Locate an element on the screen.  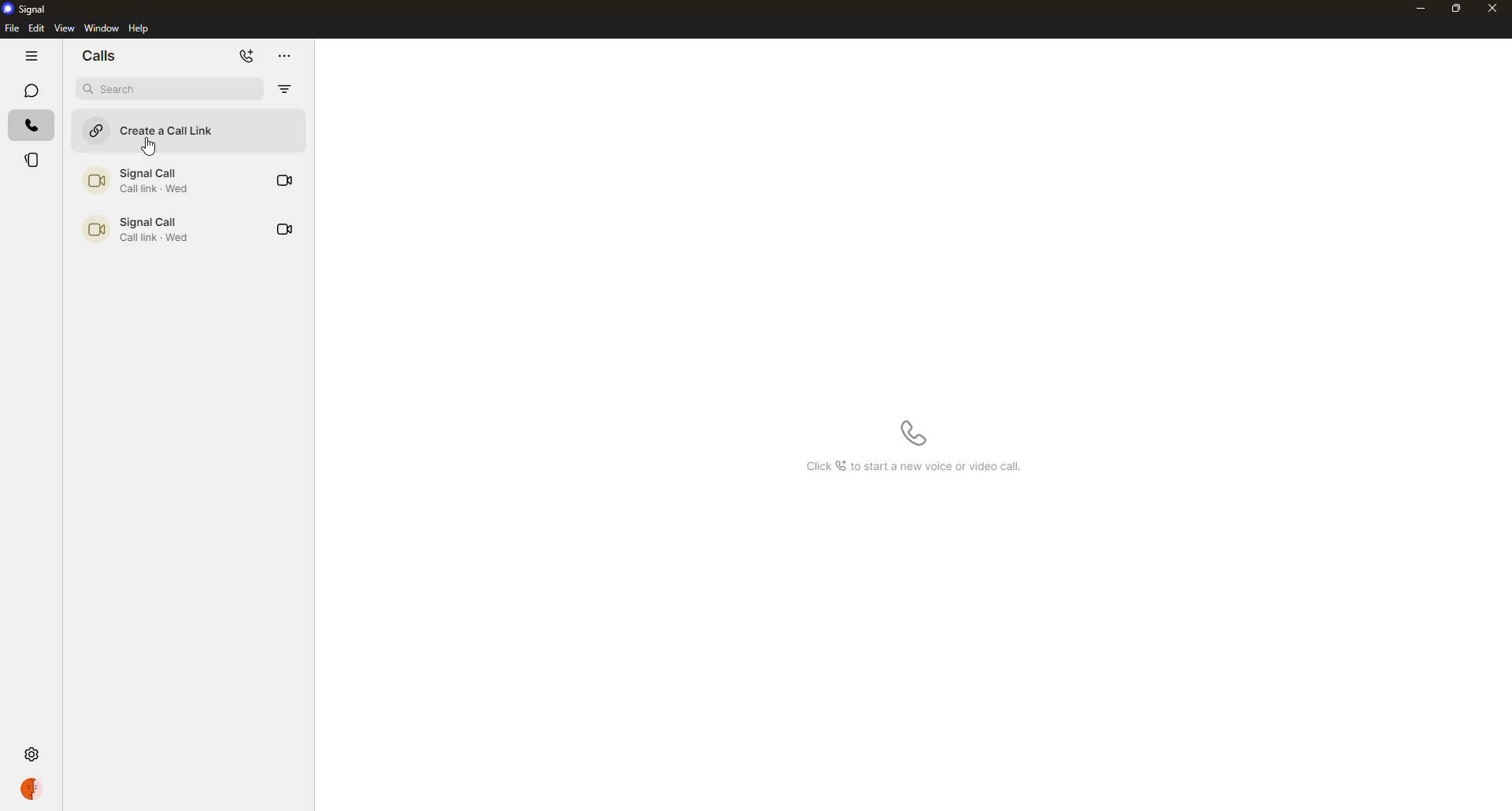
cursor is located at coordinates (148, 146).